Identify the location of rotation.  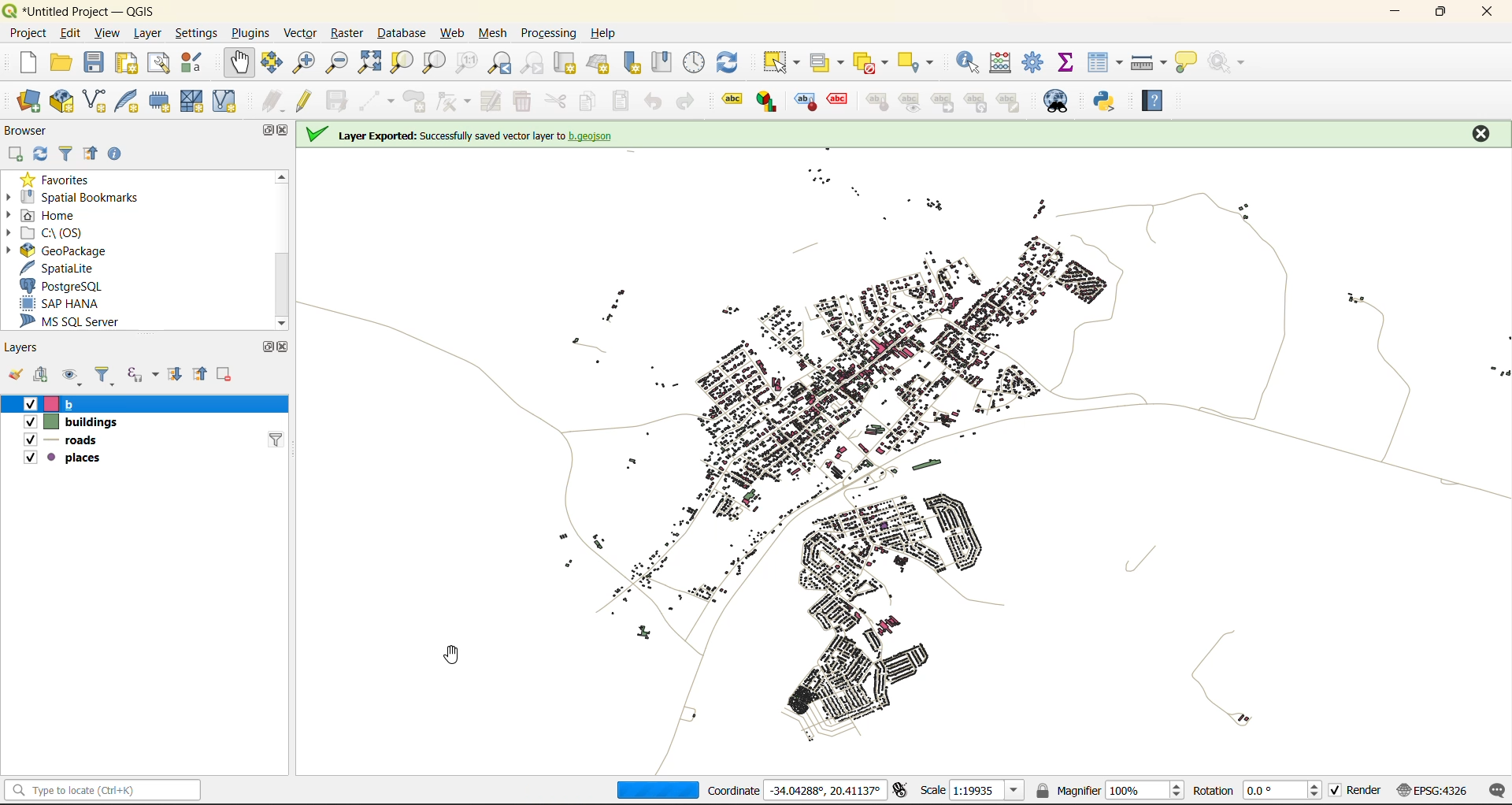
(1258, 791).